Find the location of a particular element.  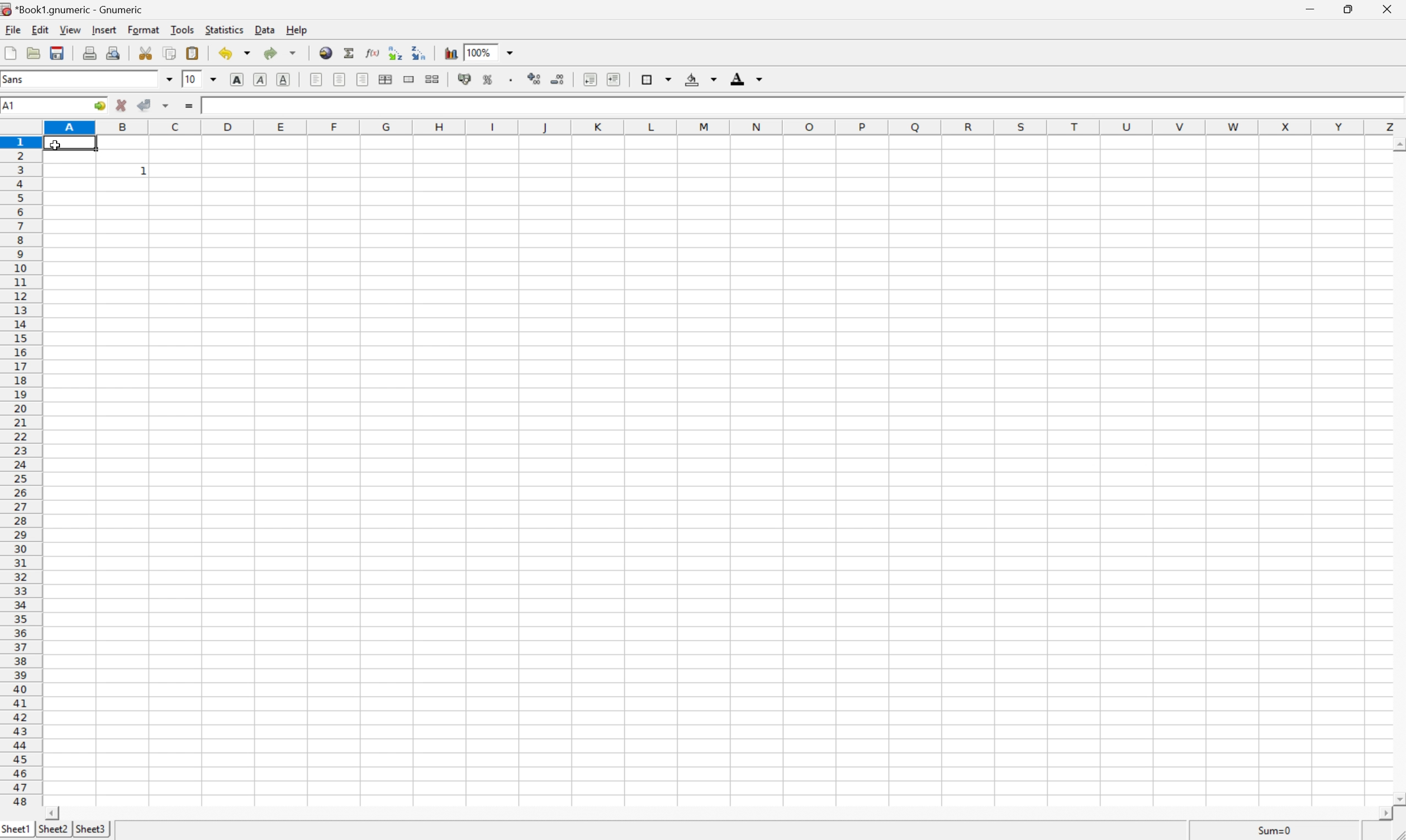

font size 10 is located at coordinates (202, 79).